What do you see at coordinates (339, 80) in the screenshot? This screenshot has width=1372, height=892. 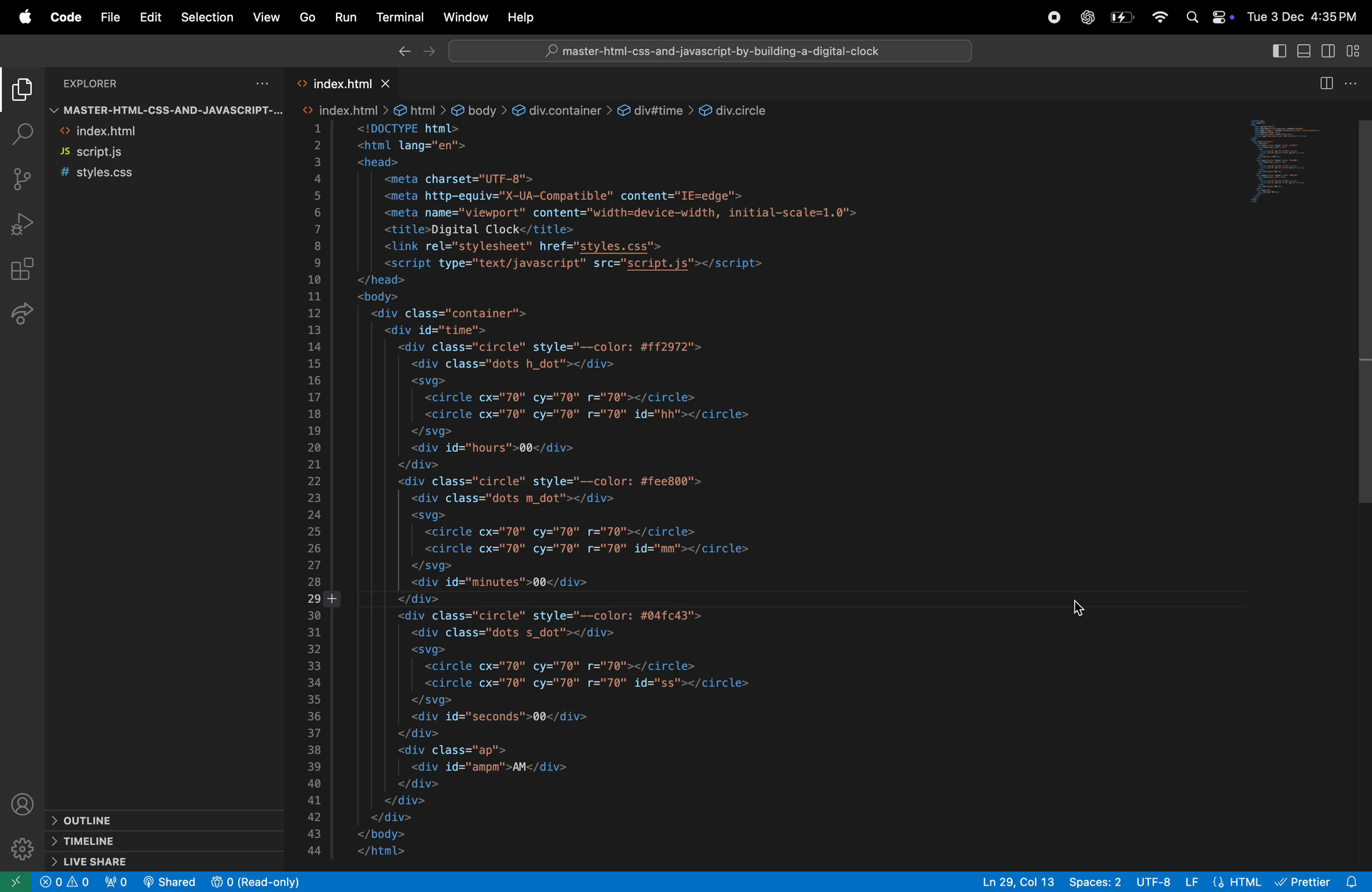 I see `index.html` at bounding box center [339, 80].